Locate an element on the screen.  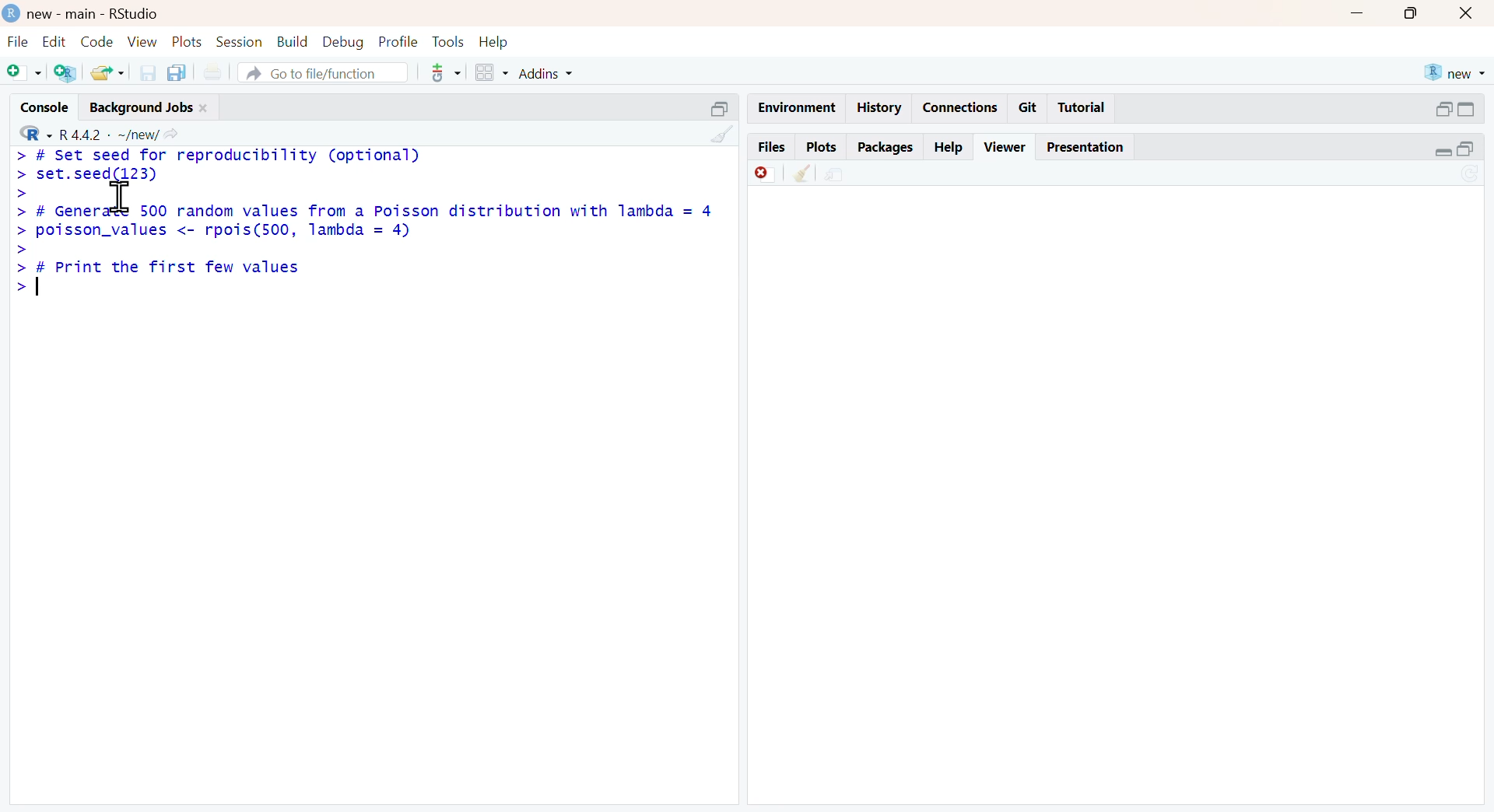
build is located at coordinates (293, 40).